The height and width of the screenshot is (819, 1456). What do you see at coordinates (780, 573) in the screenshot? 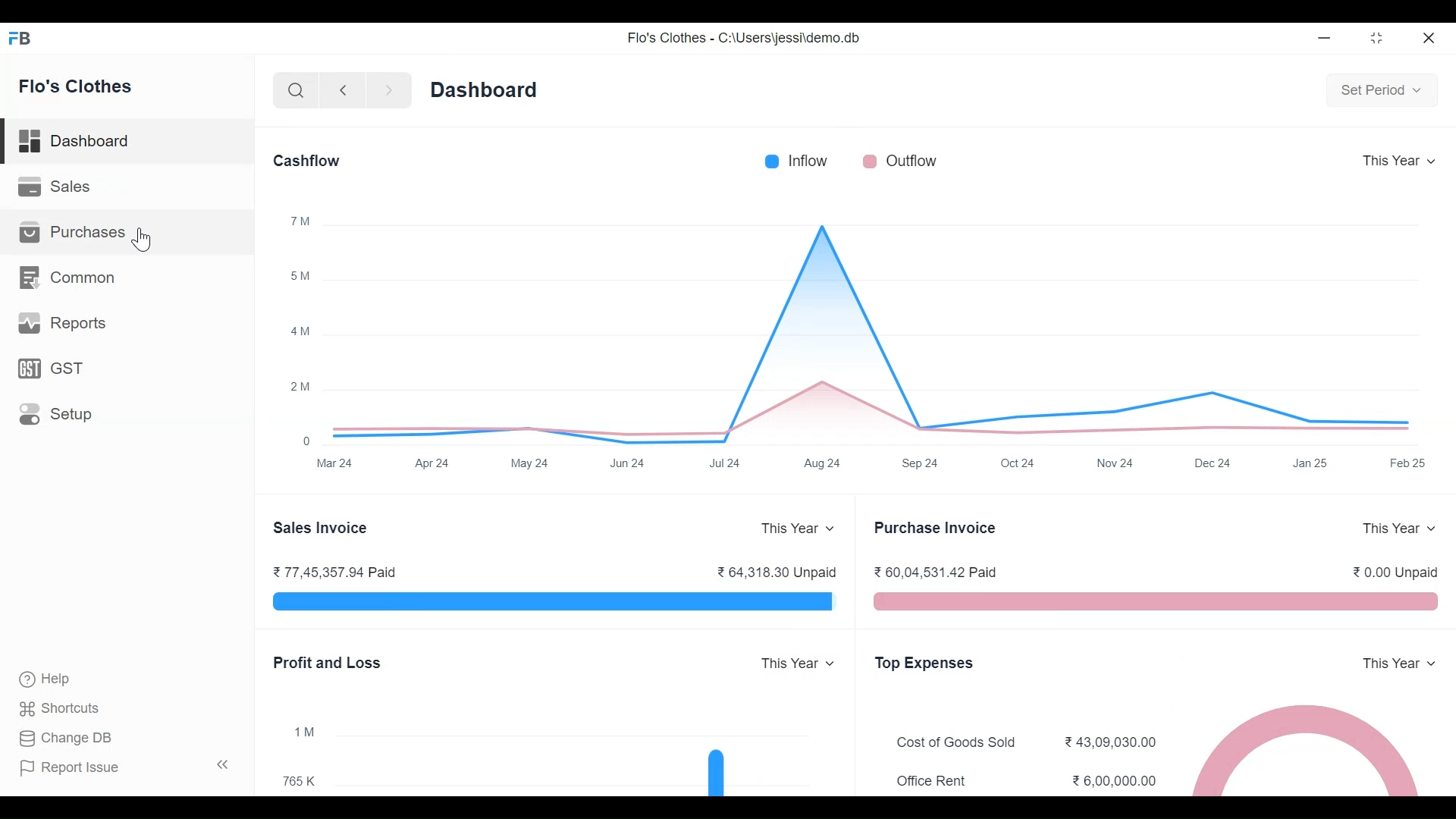
I see `64,318.30 Unpaid` at bounding box center [780, 573].